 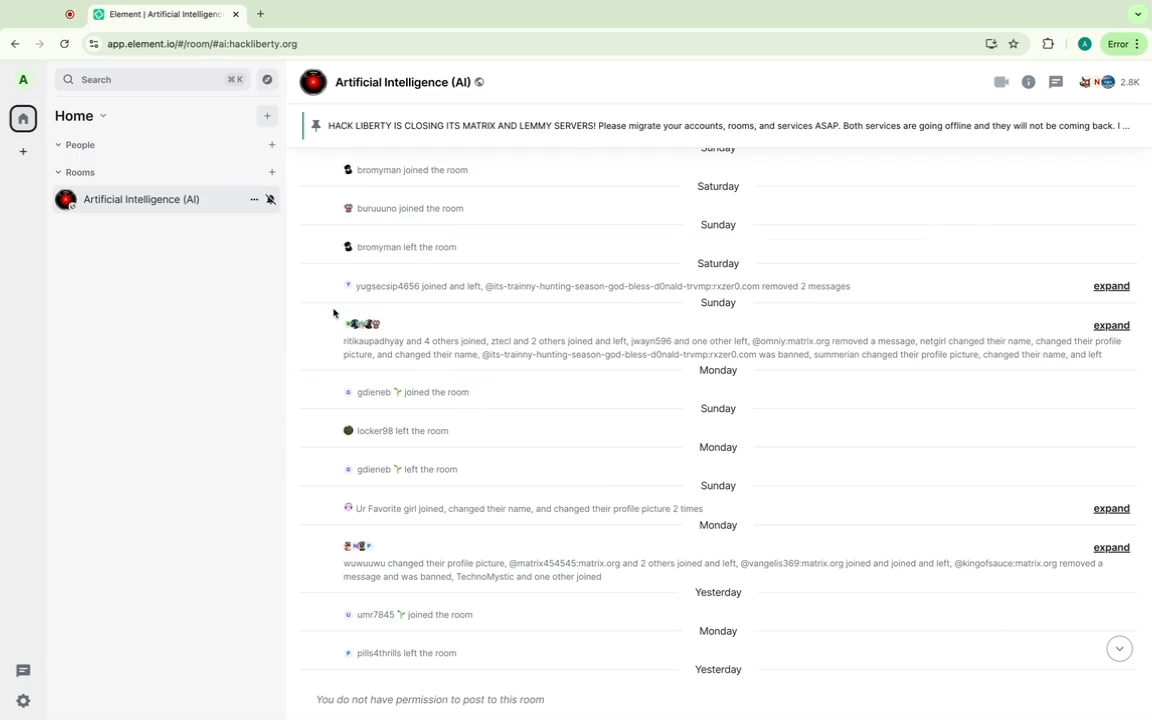 What do you see at coordinates (1030, 82) in the screenshot?
I see `Information` at bounding box center [1030, 82].